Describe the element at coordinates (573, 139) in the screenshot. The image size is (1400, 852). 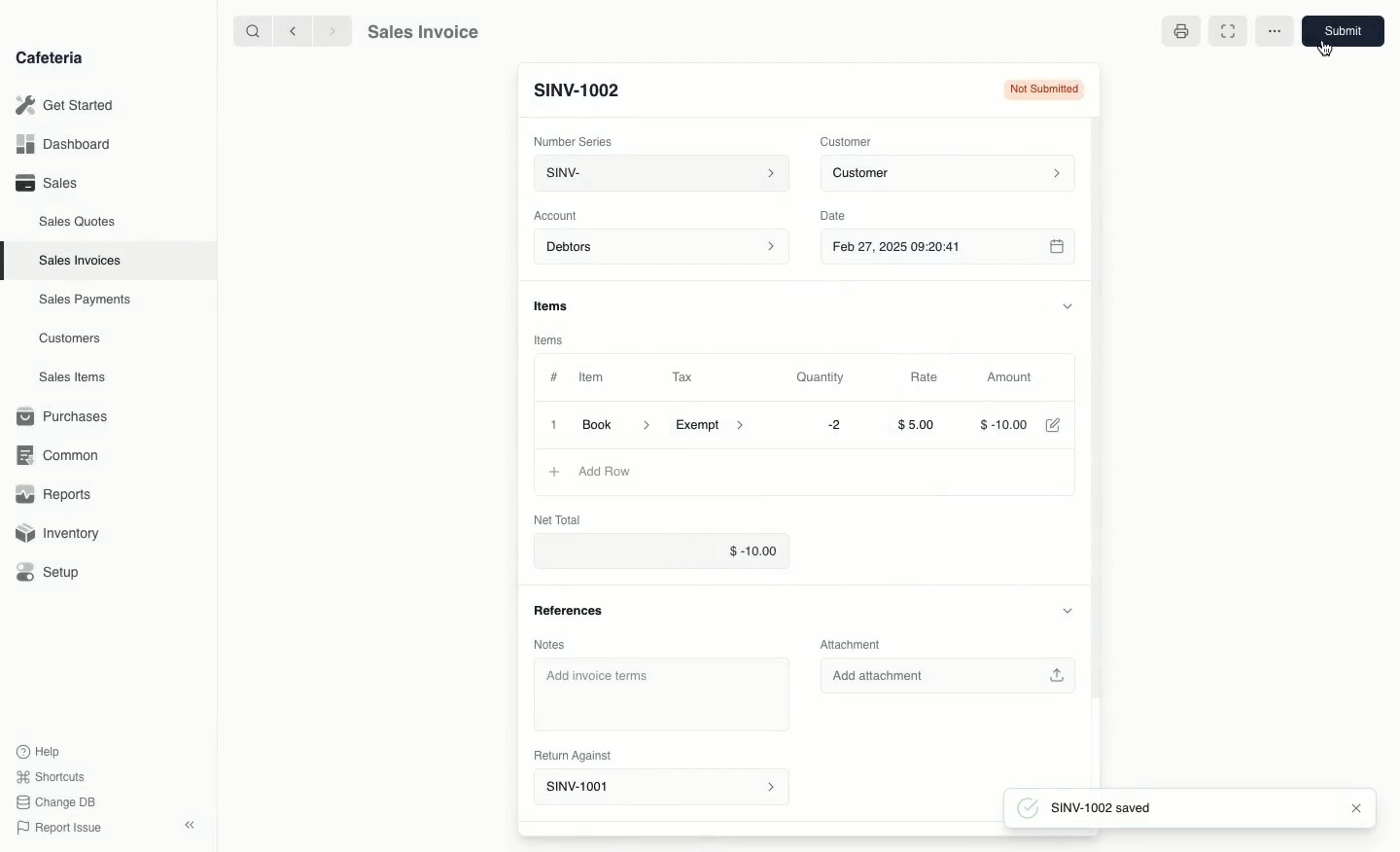
I see `‘Number Series` at that location.